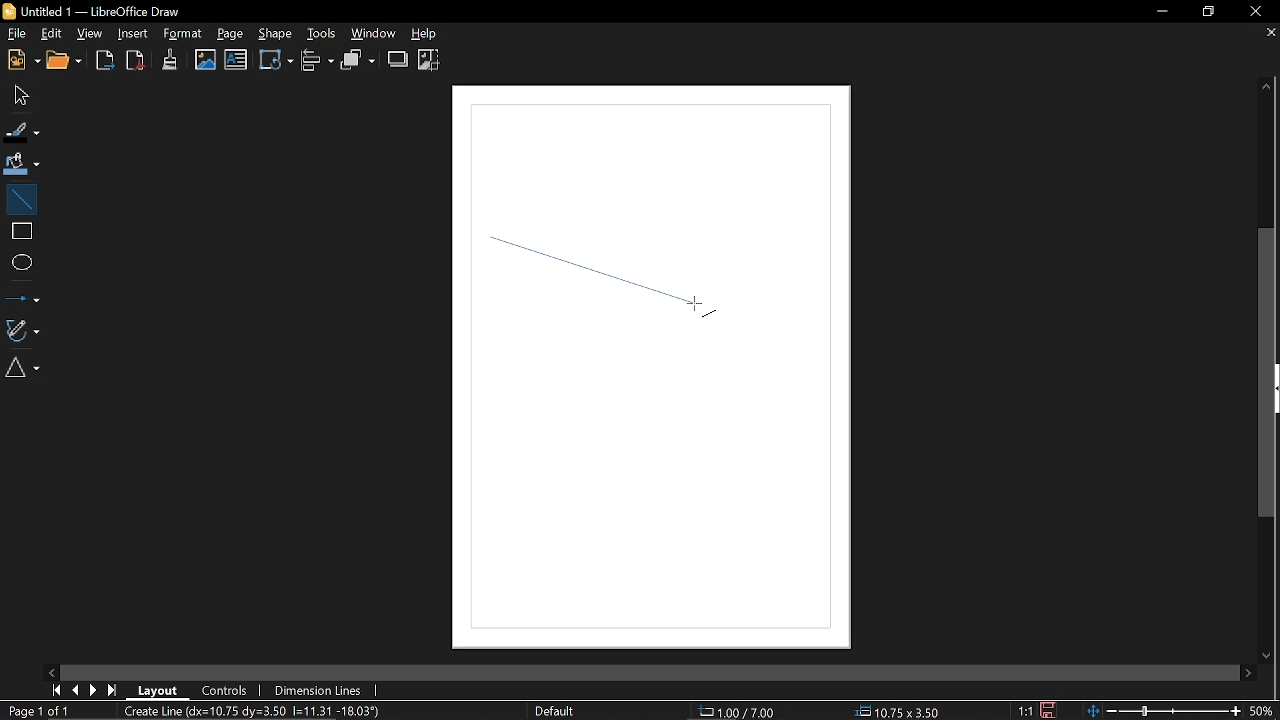 The image size is (1280, 720). Describe the element at coordinates (1204, 12) in the screenshot. I see `Restore down` at that location.